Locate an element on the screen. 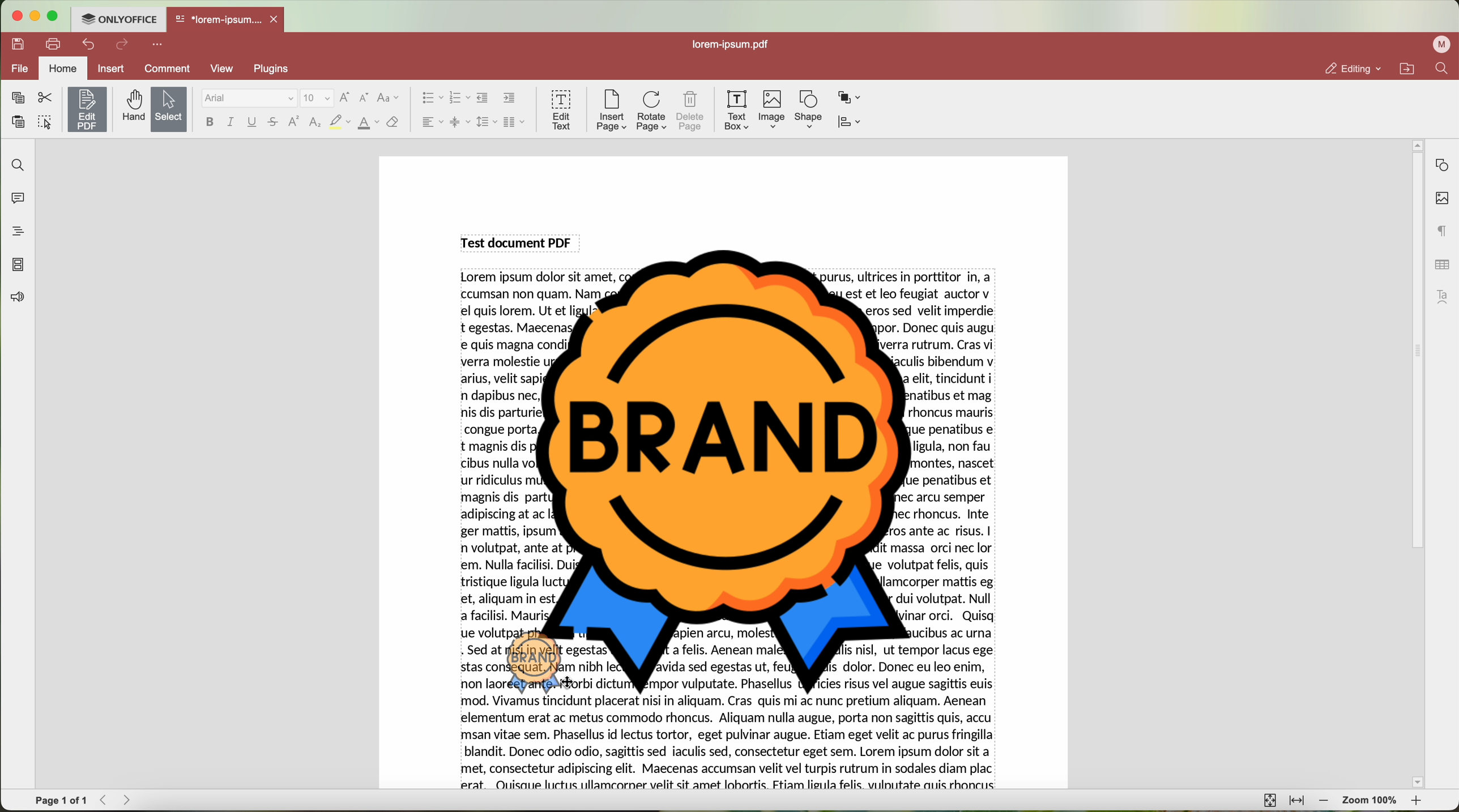 The image size is (1459, 812). hand is located at coordinates (132, 106).